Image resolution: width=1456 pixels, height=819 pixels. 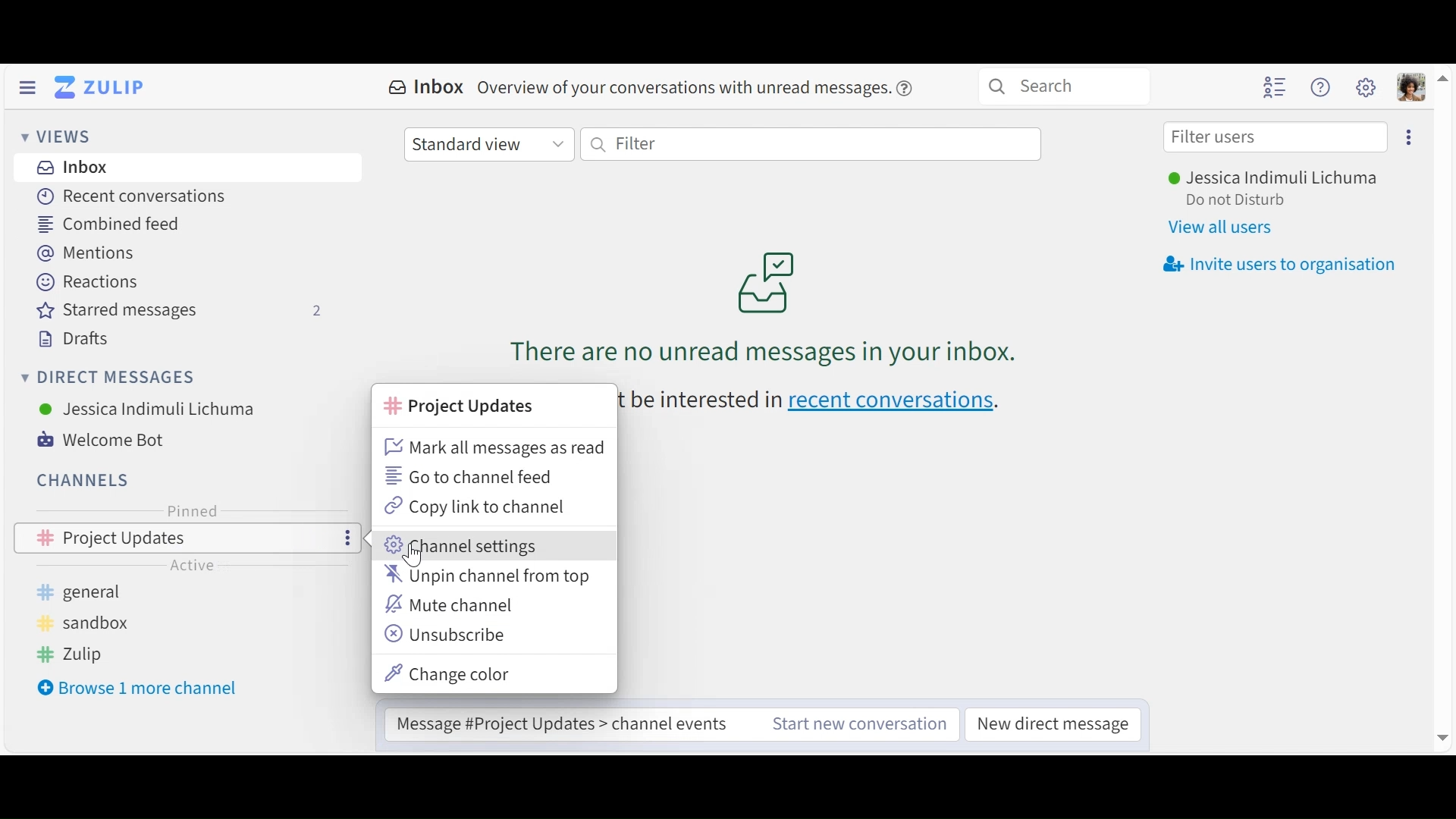 What do you see at coordinates (1412, 87) in the screenshot?
I see `Personal menu` at bounding box center [1412, 87].